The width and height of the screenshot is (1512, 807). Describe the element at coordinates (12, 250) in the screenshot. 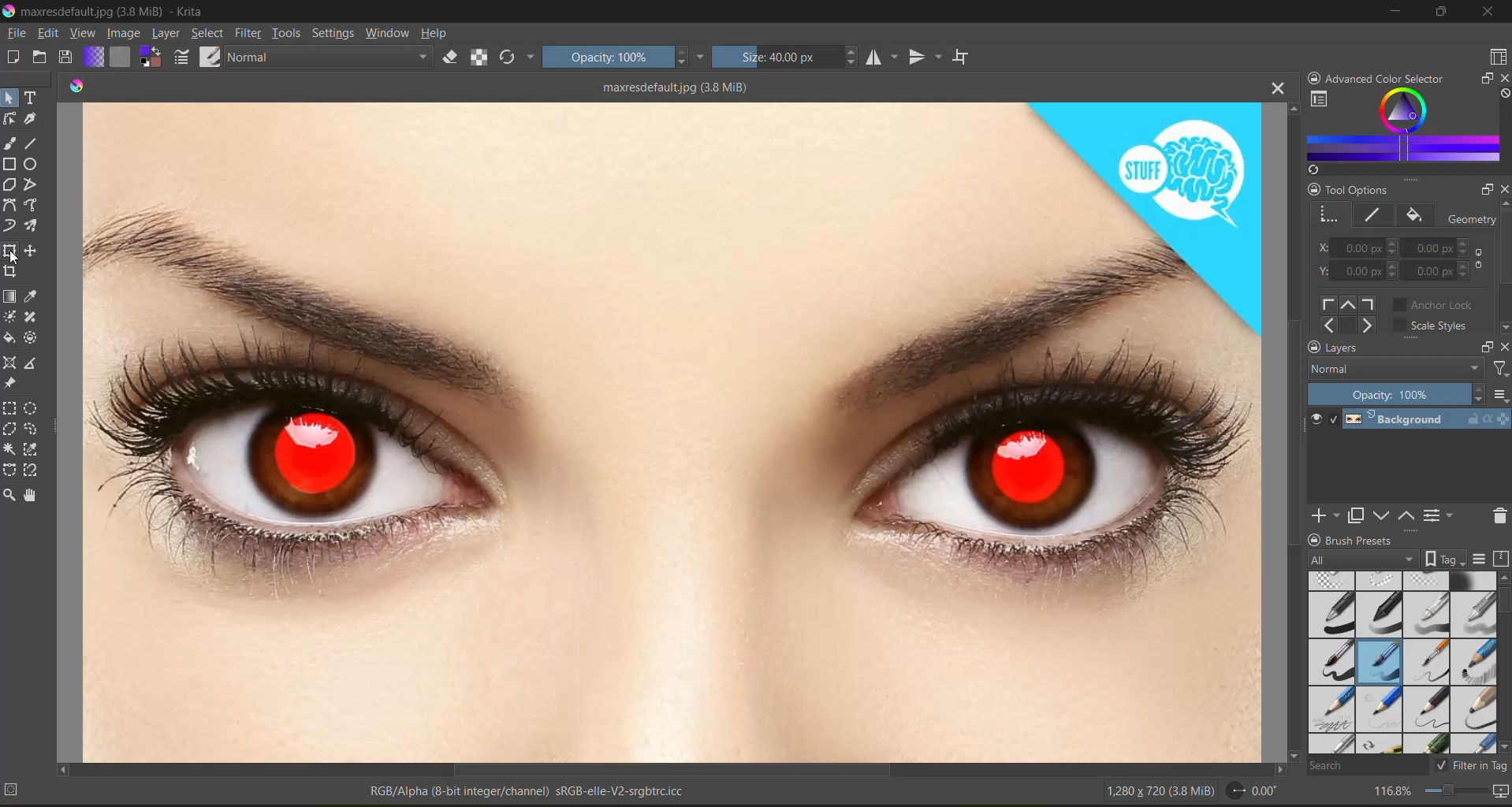

I see `tool` at that location.